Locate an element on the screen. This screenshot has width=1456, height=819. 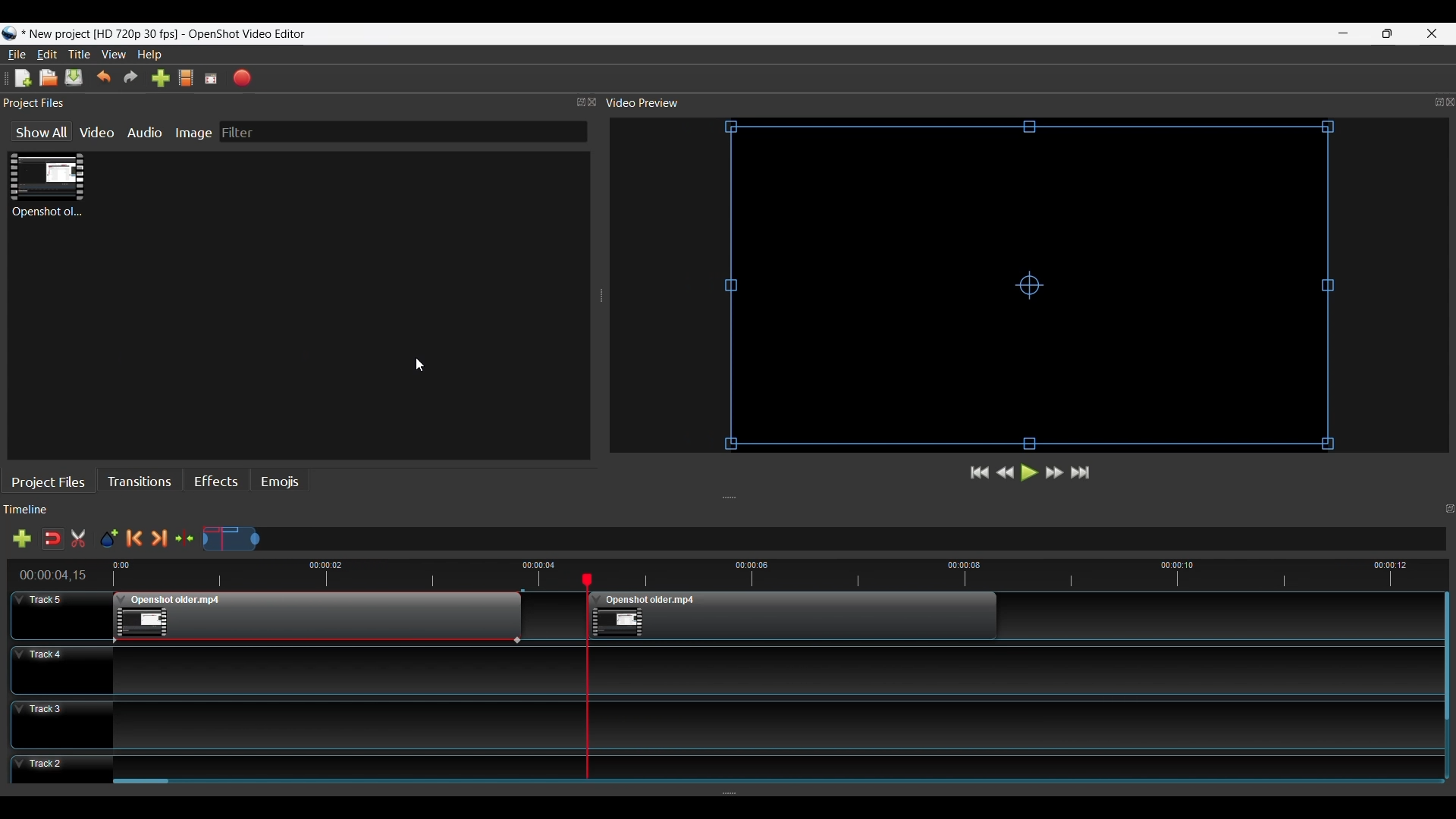
File is located at coordinates (17, 54).